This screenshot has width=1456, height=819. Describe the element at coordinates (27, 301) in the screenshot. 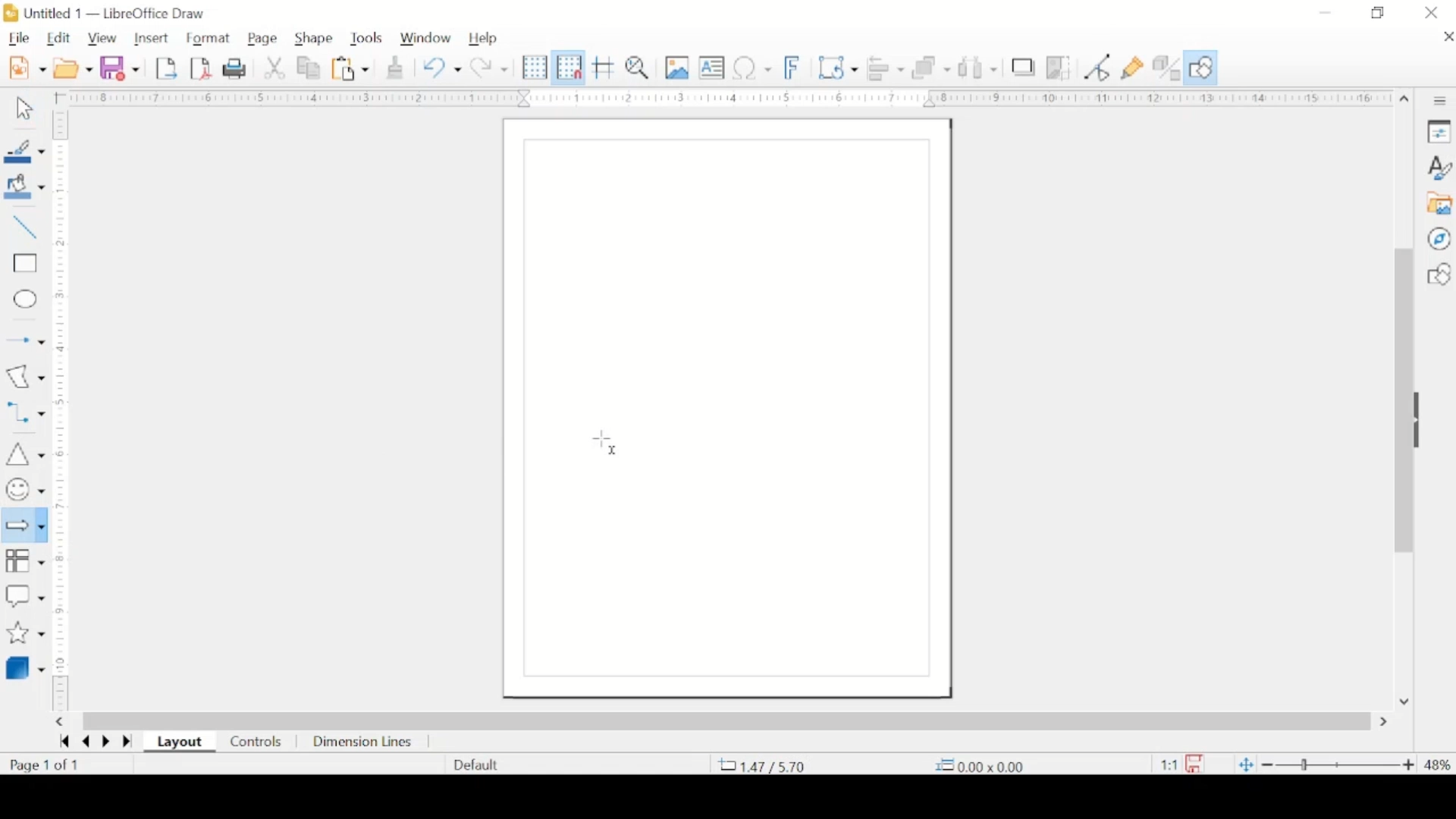

I see `ellipse` at that location.